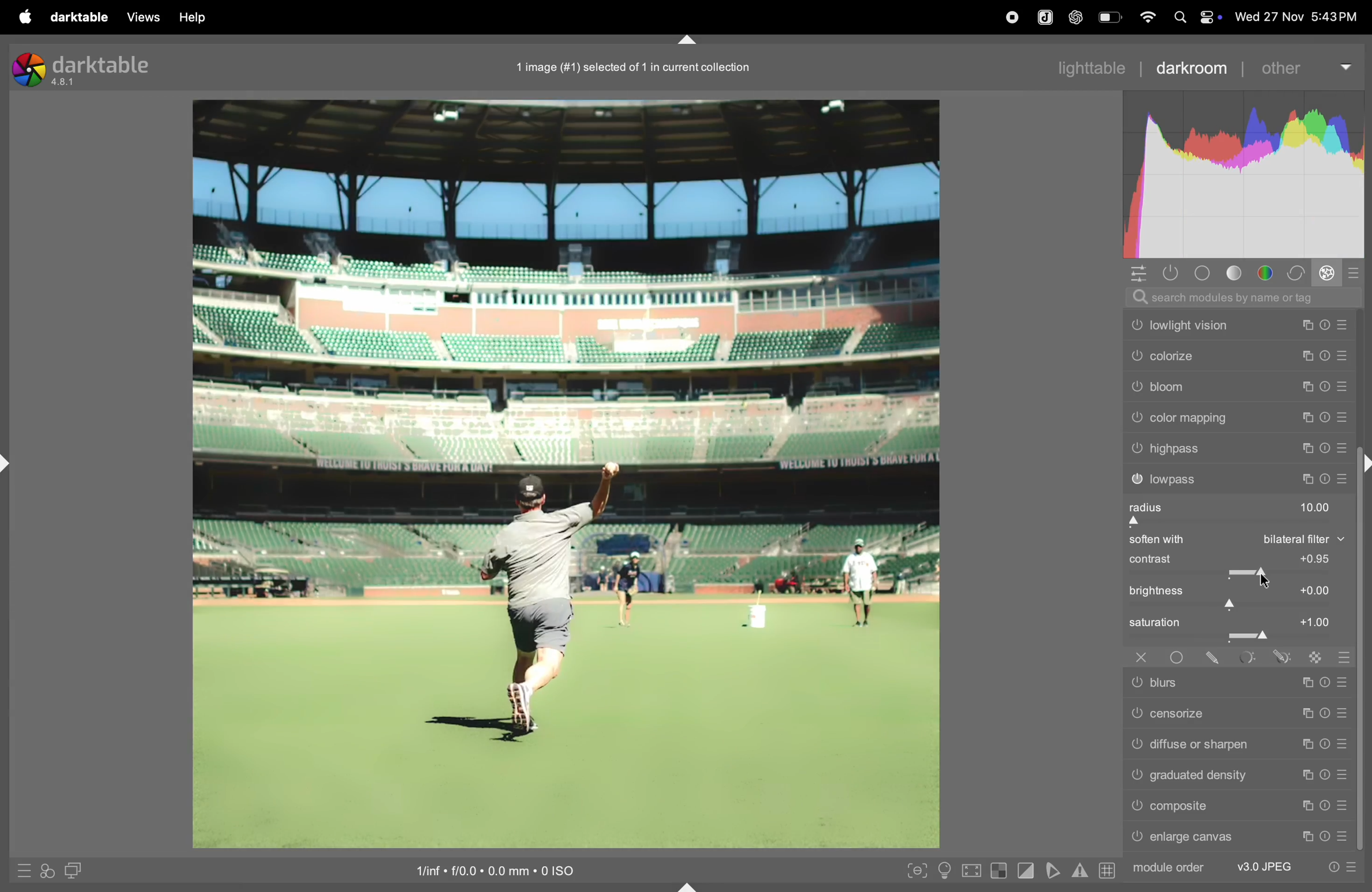 This screenshot has width=1372, height=892. What do you see at coordinates (1241, 838) in the screenshot?
I see `enlarge canvas` at bounding box center [1241, 838].